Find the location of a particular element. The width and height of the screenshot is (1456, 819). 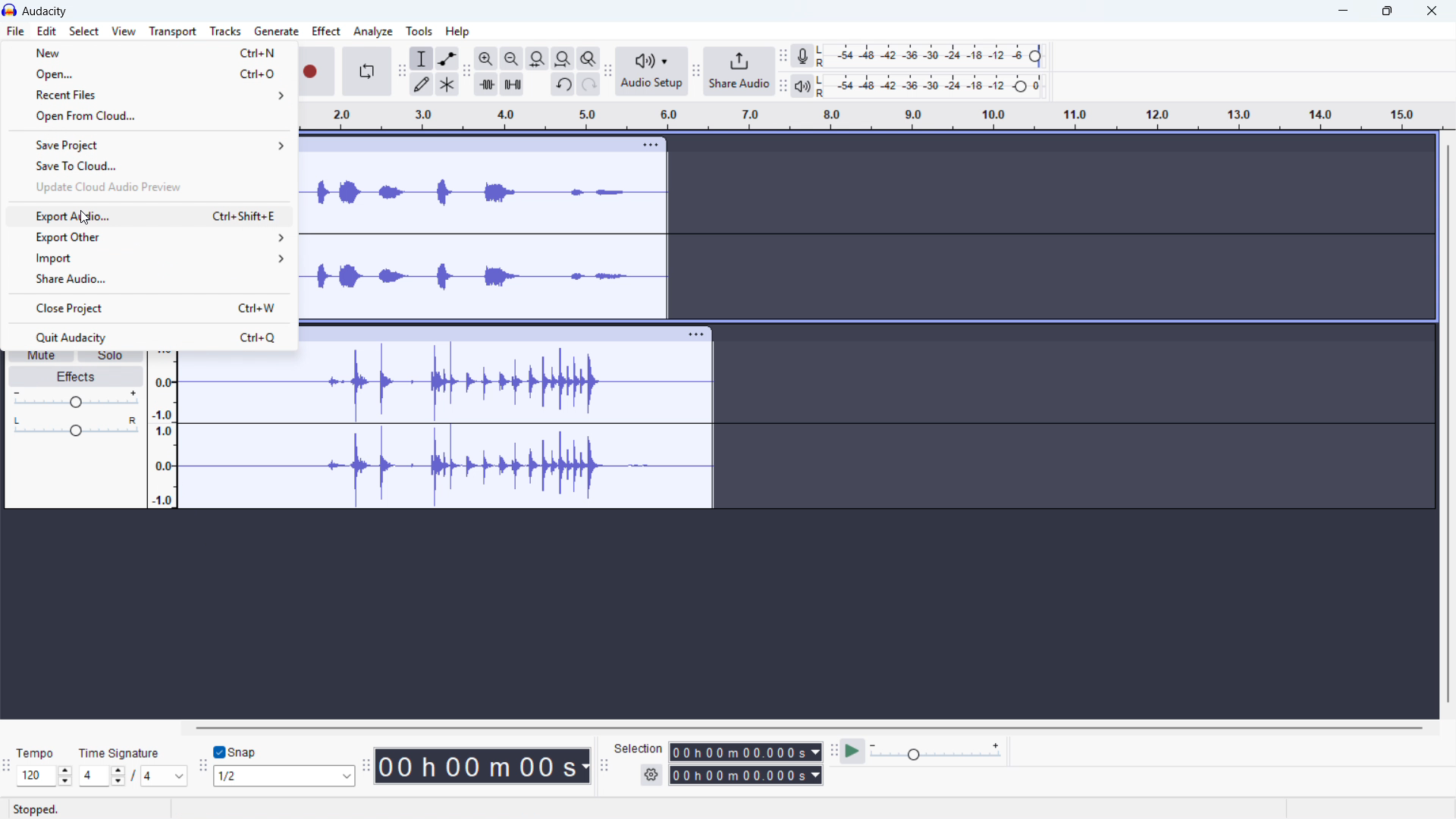

open  is located at coordinates (148, 72).